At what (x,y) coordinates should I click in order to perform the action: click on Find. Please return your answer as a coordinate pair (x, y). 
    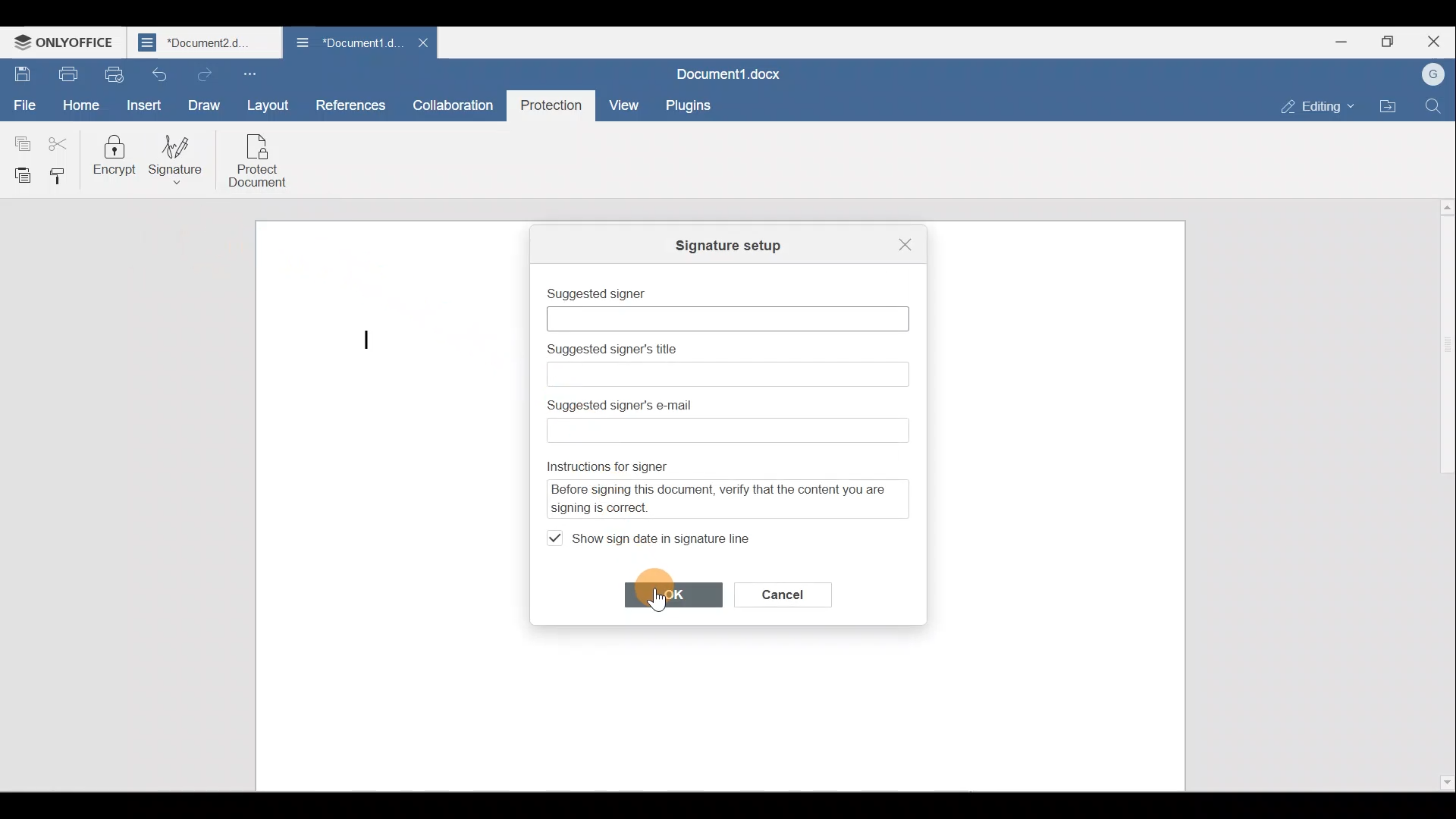
    Looking at the image, I should click on (1434, 107).